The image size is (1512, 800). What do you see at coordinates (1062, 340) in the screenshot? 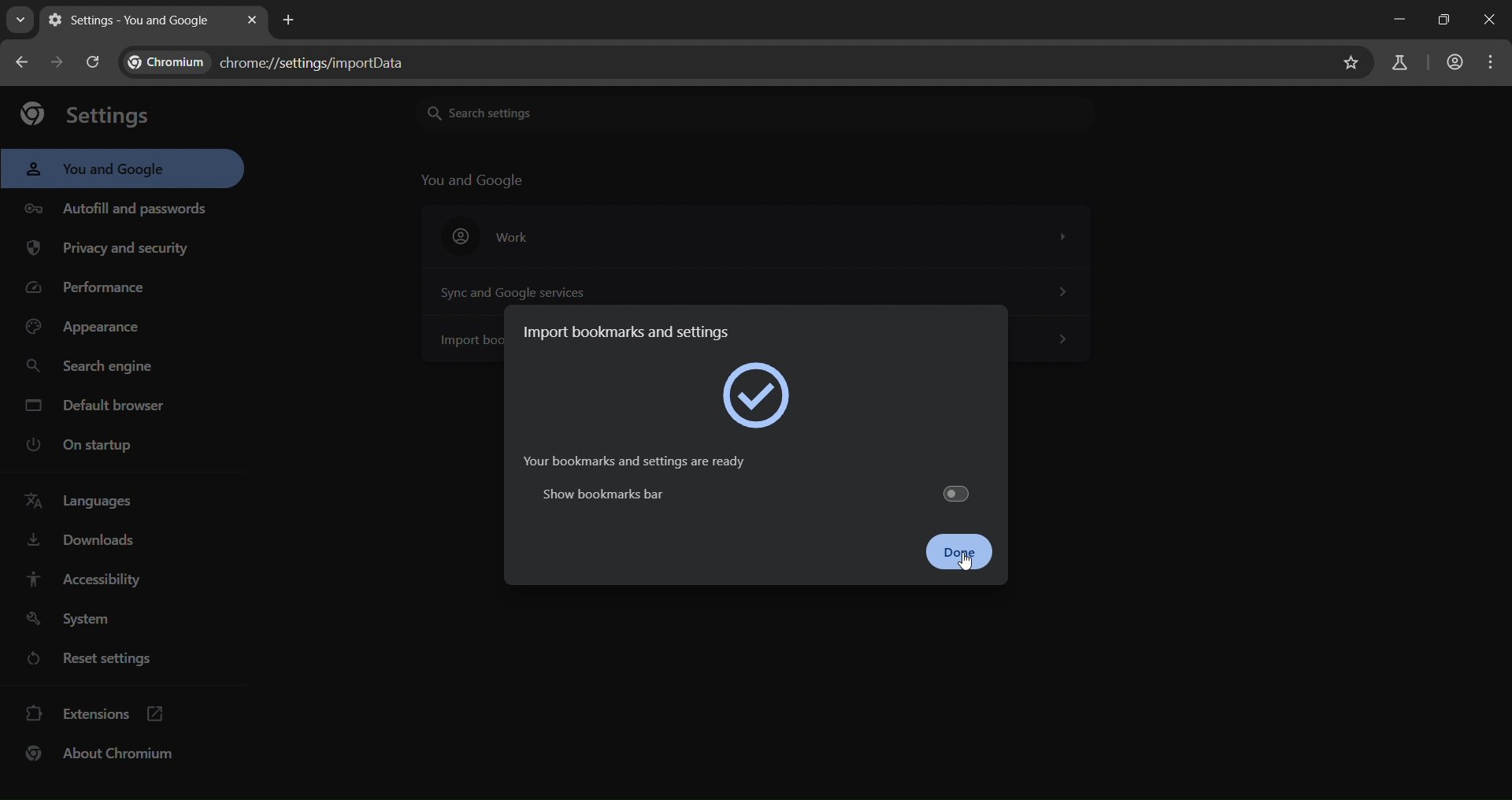
I see `` at bounding box center [1062, 340].